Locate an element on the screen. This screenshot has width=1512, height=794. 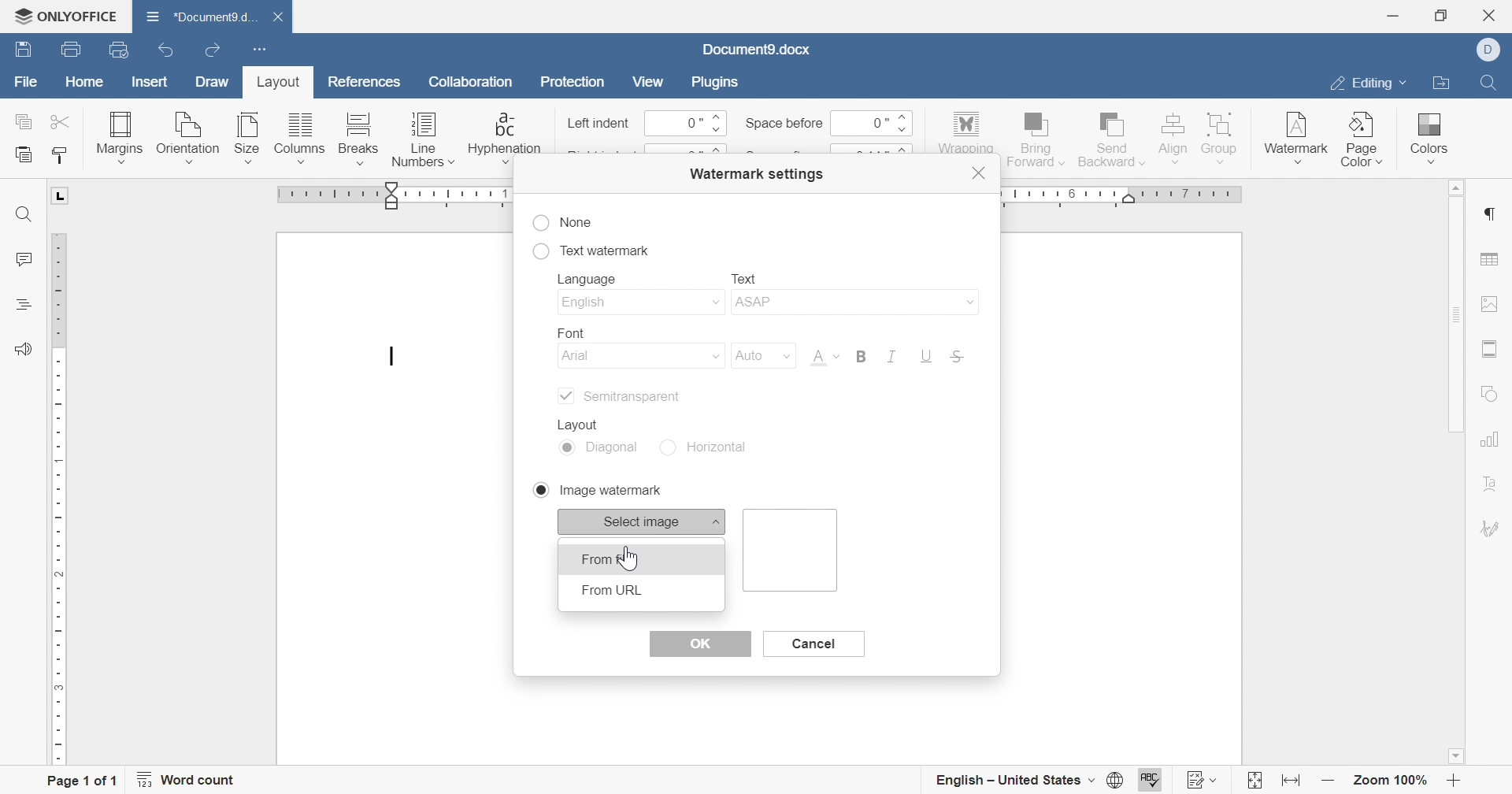
set document language is located at coordinates (1121, 780).